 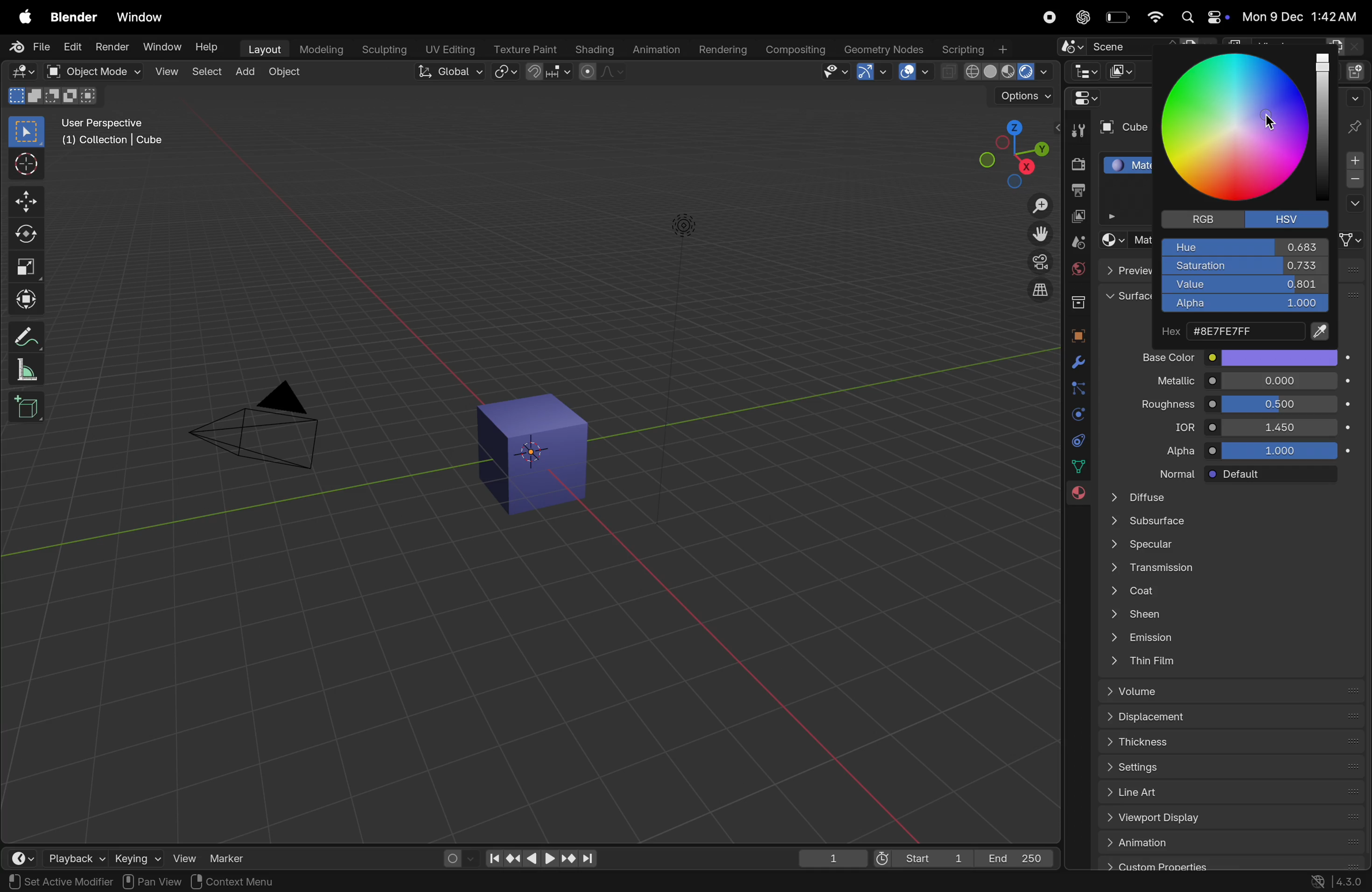 What do you see at coordinates (114, 133) in the screenshot?
I see `use perspective` at bounding box center [114, 133].